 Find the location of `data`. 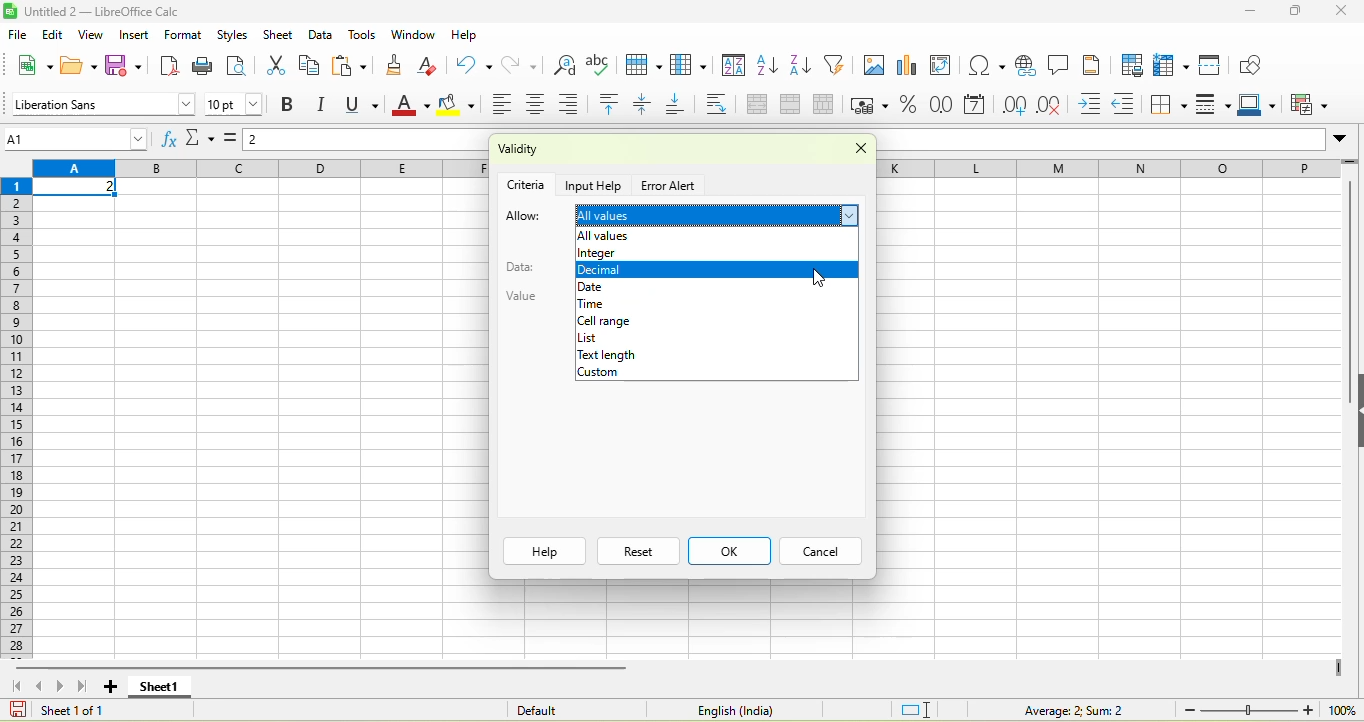

data is located at coordinates (526, 264).